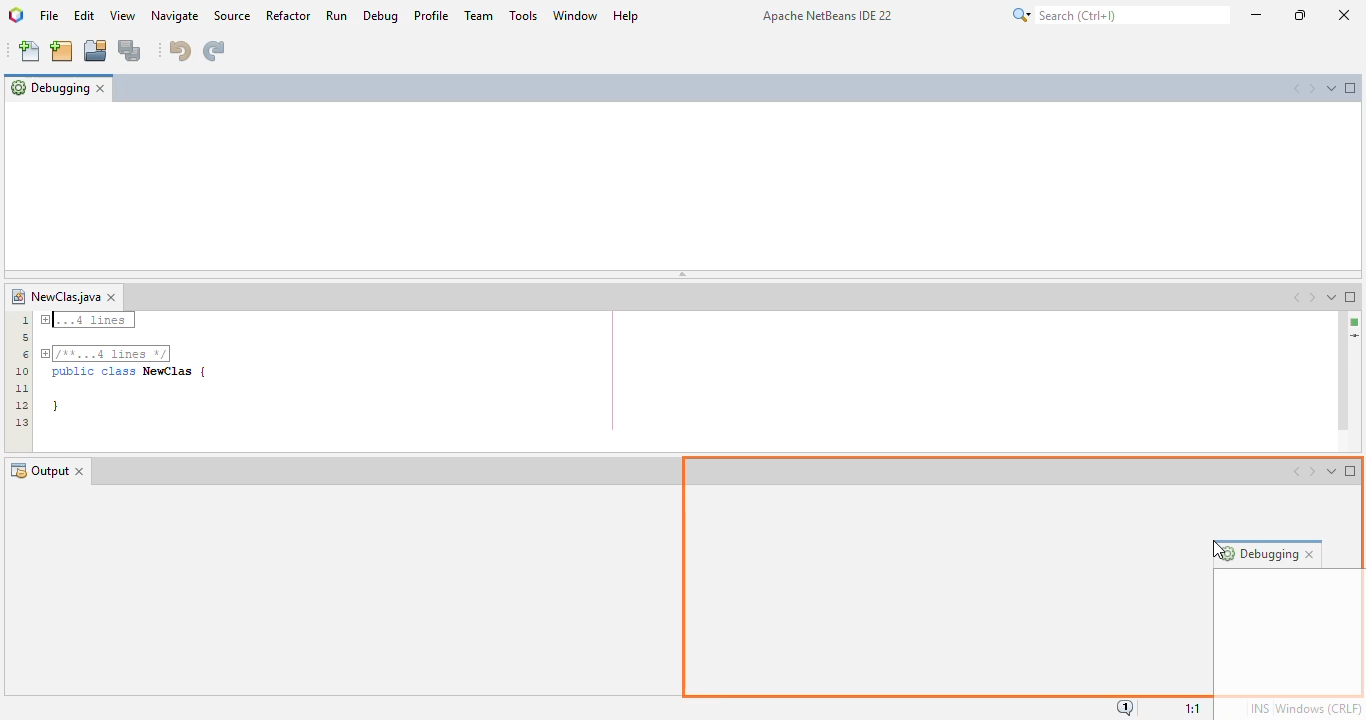 This screenshot has width=1366, height=720. What do you see at coordinates (96, 52) in the screenshot?
I see `open project` at bounding box center [96, 52].